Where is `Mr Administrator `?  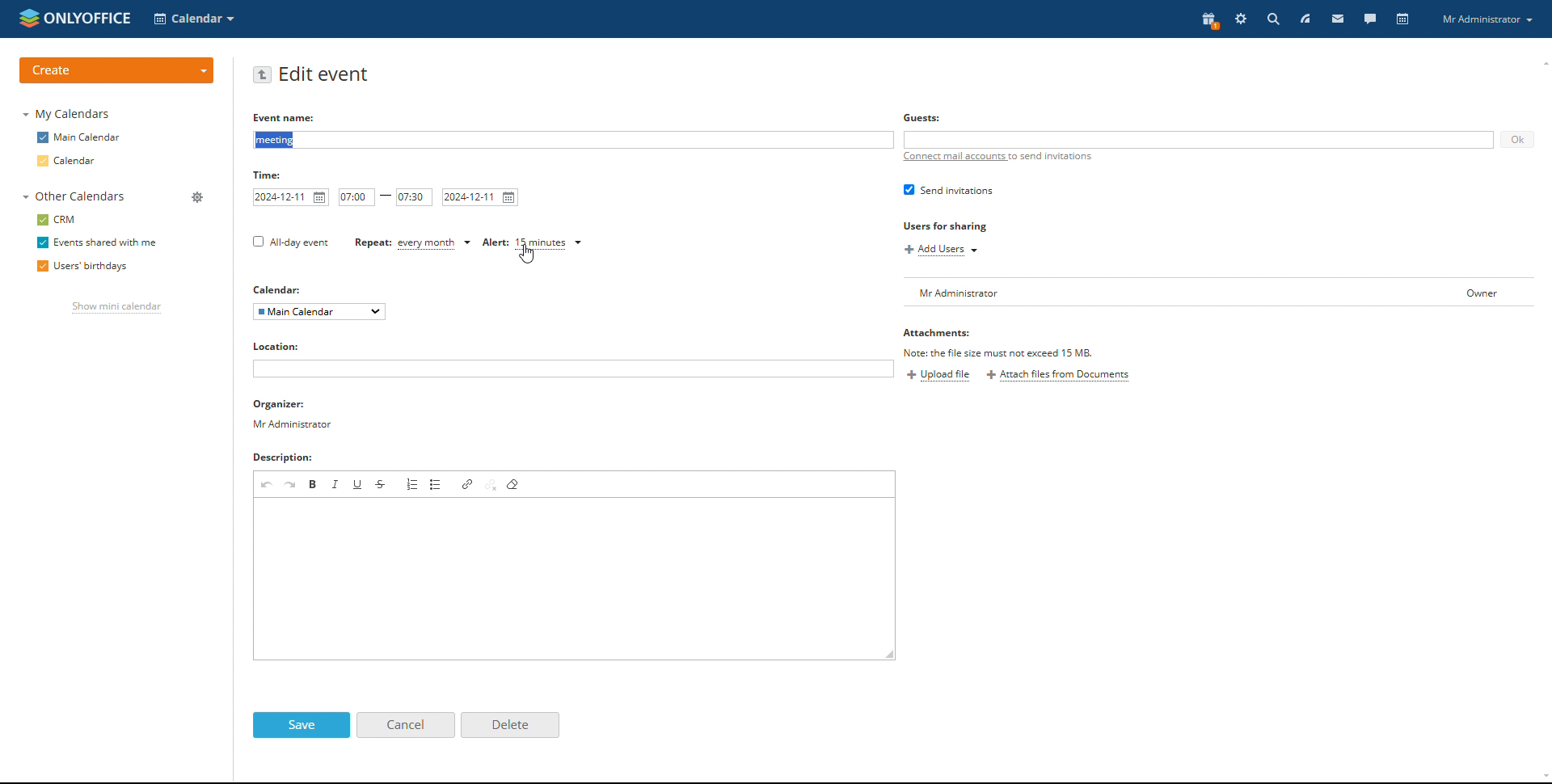
Mr Administrator  is located at coordinates (1490, 21).